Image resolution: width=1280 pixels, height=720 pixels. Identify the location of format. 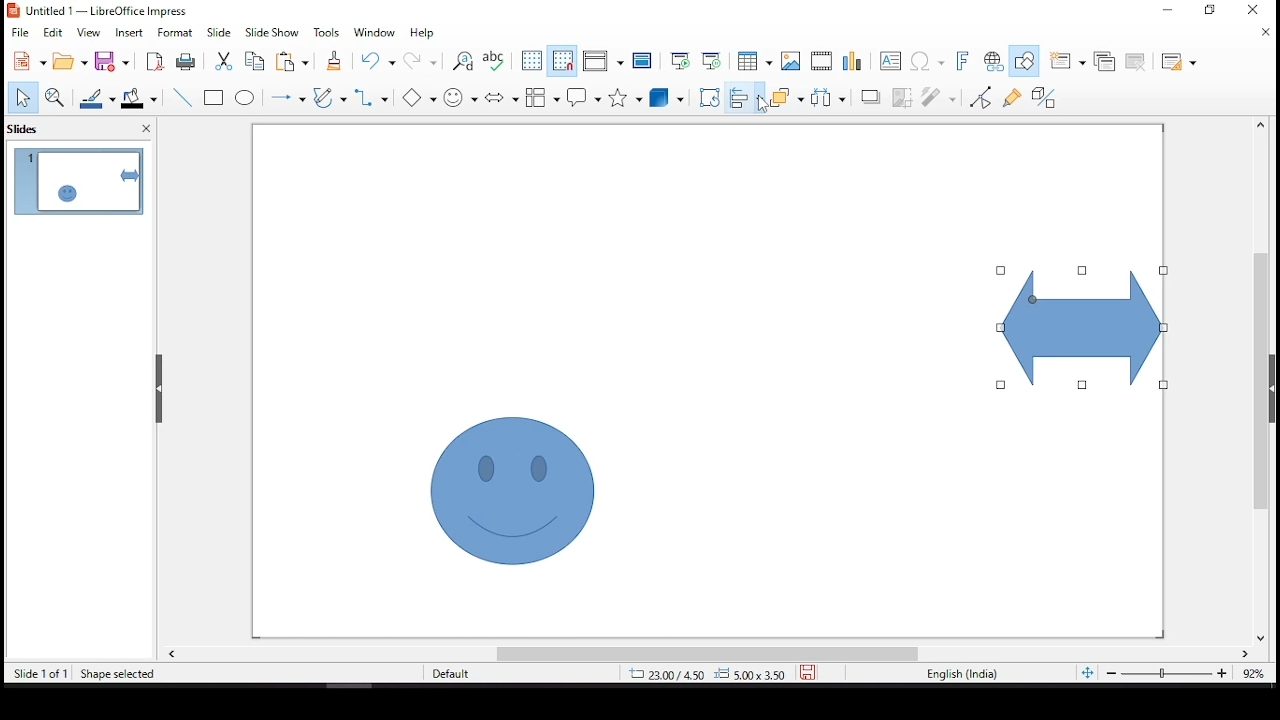
(176, 32).